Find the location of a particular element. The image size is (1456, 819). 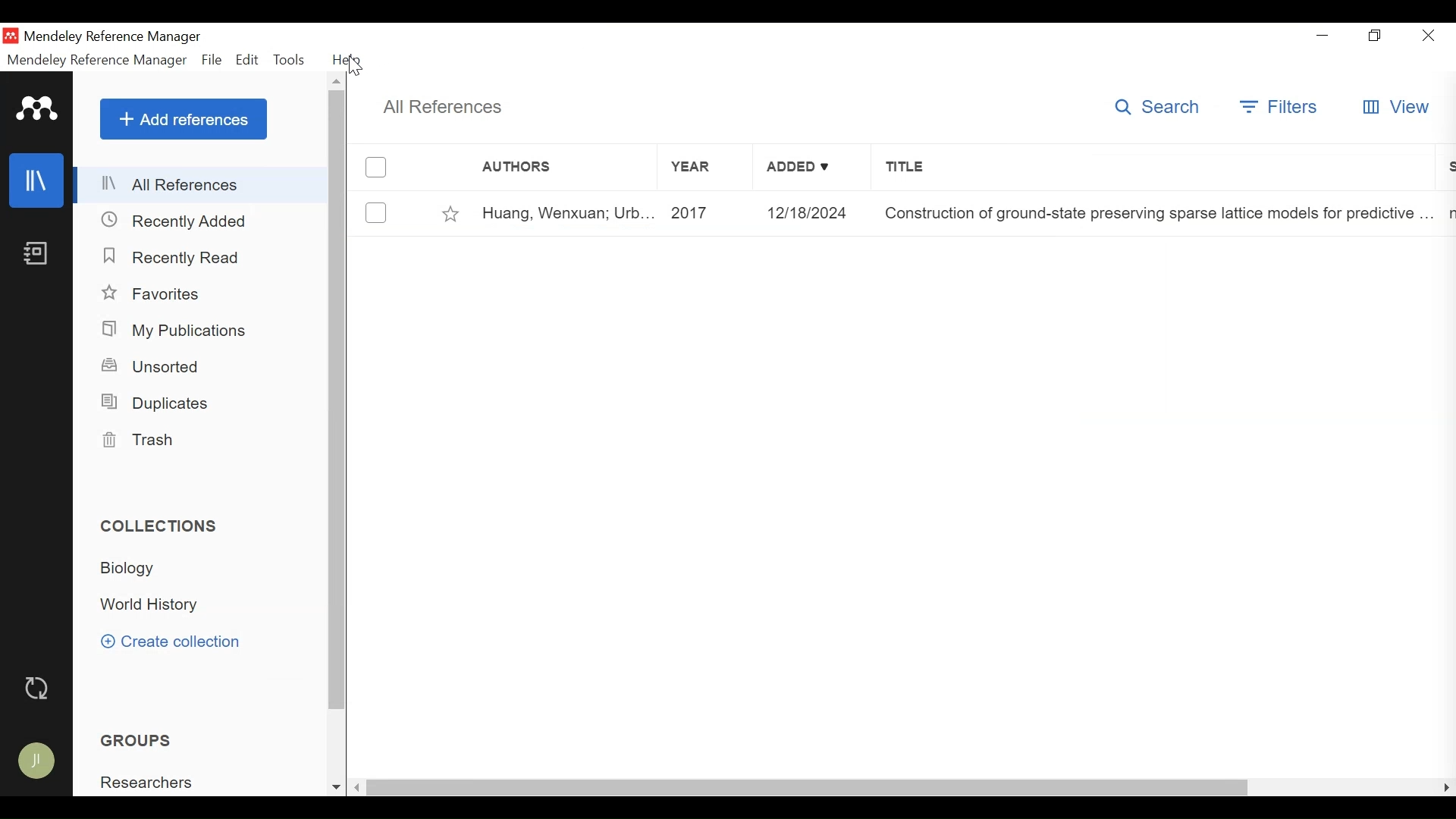

Search is located at coordinates (1155, 107).